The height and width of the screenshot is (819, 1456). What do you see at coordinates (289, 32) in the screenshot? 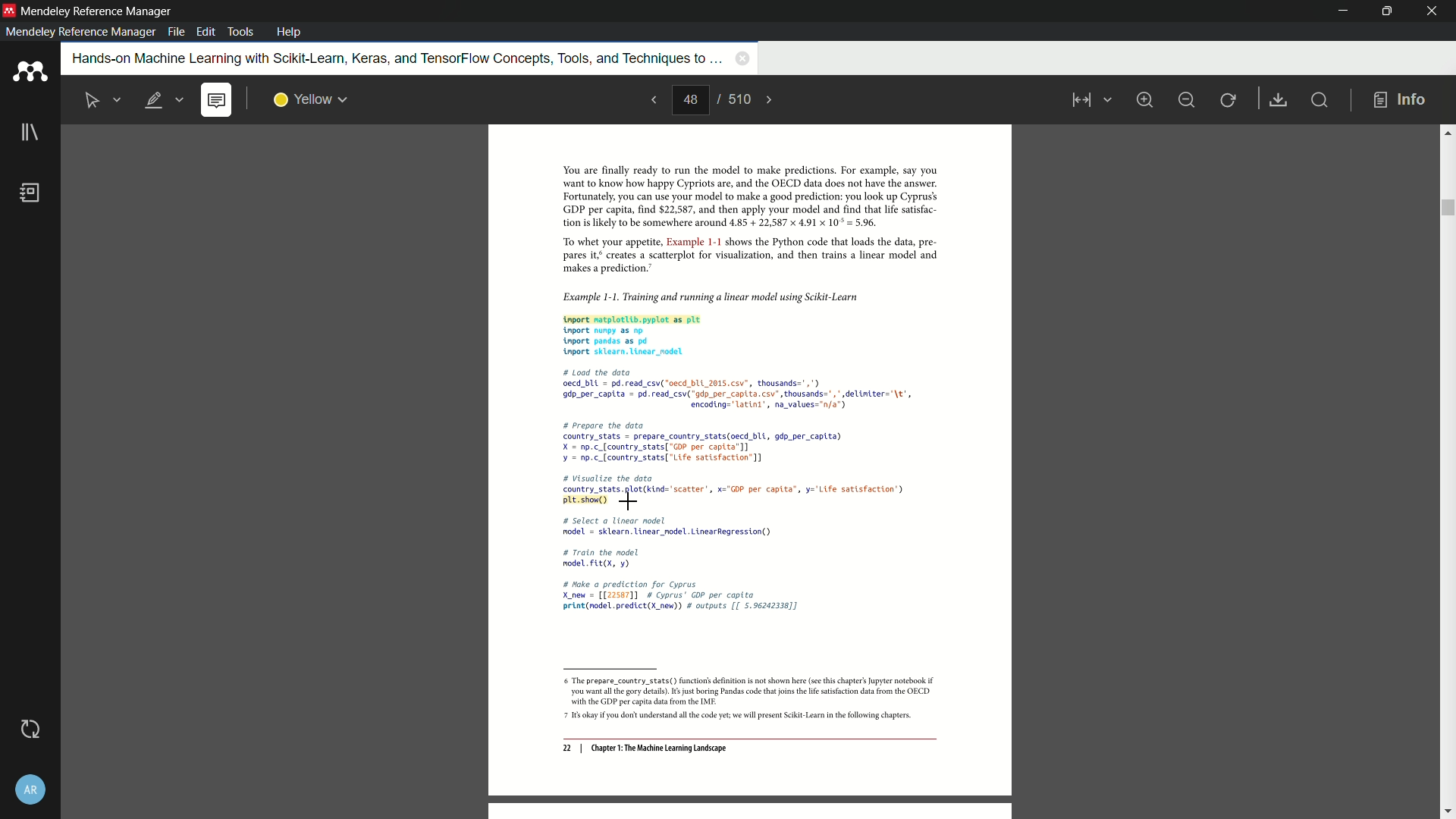
I see `help menu` at bounding box center [289, 32].